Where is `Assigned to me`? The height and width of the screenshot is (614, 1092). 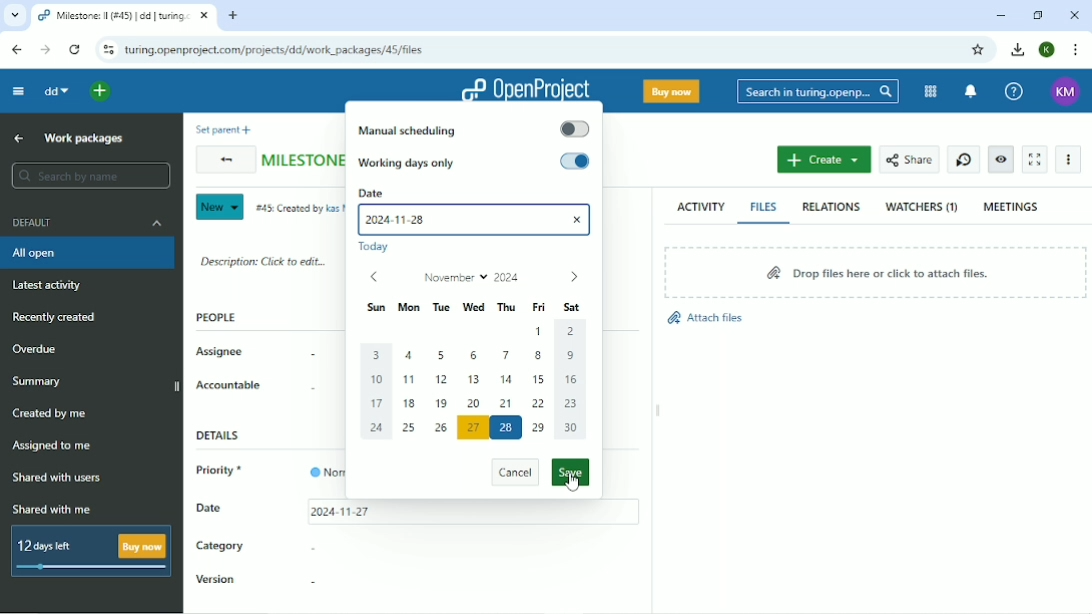 Assigned to me is located at coordinates (51, 447).